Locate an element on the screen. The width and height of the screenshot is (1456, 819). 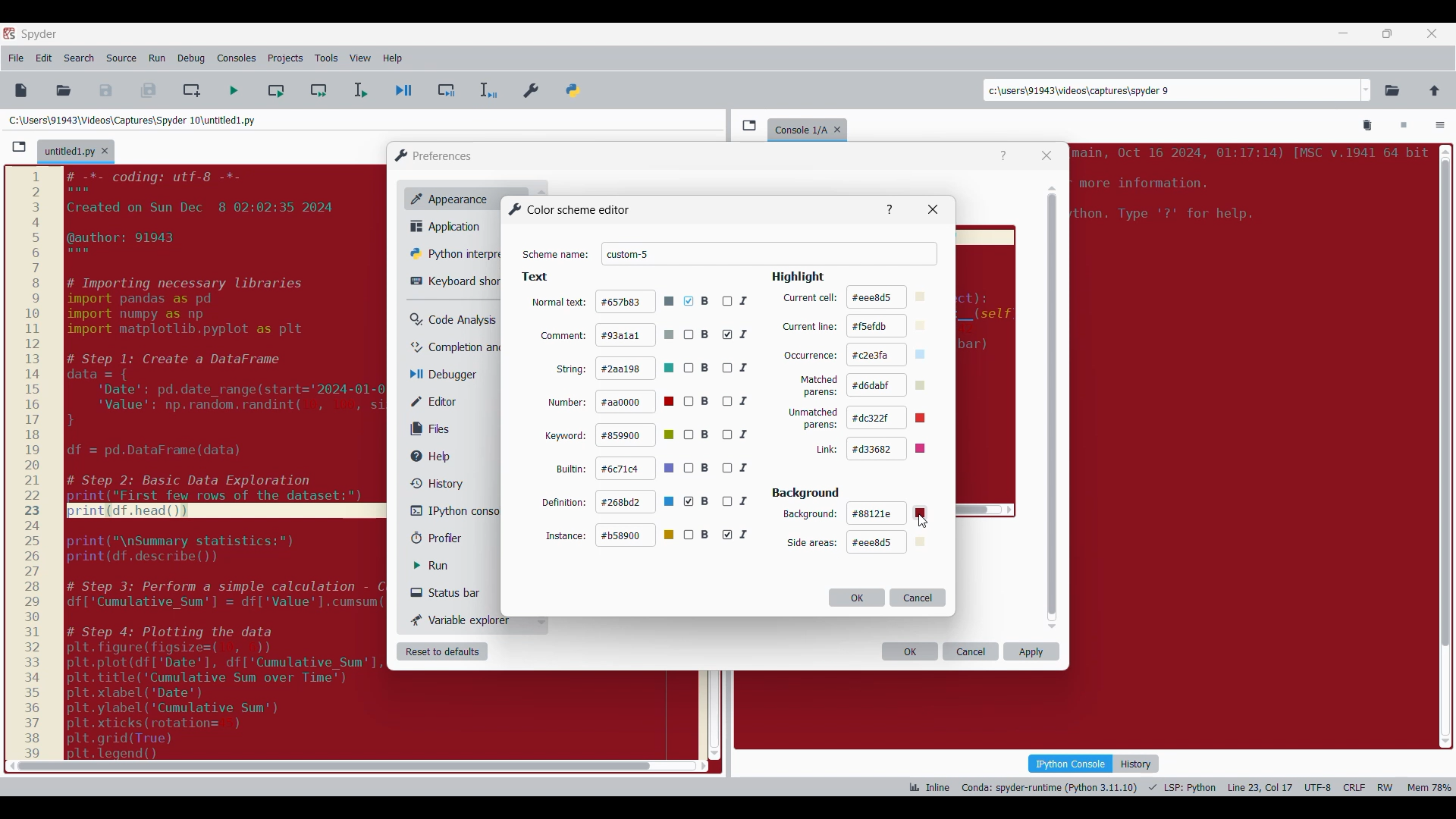
I is located at coordinates (738, 402).